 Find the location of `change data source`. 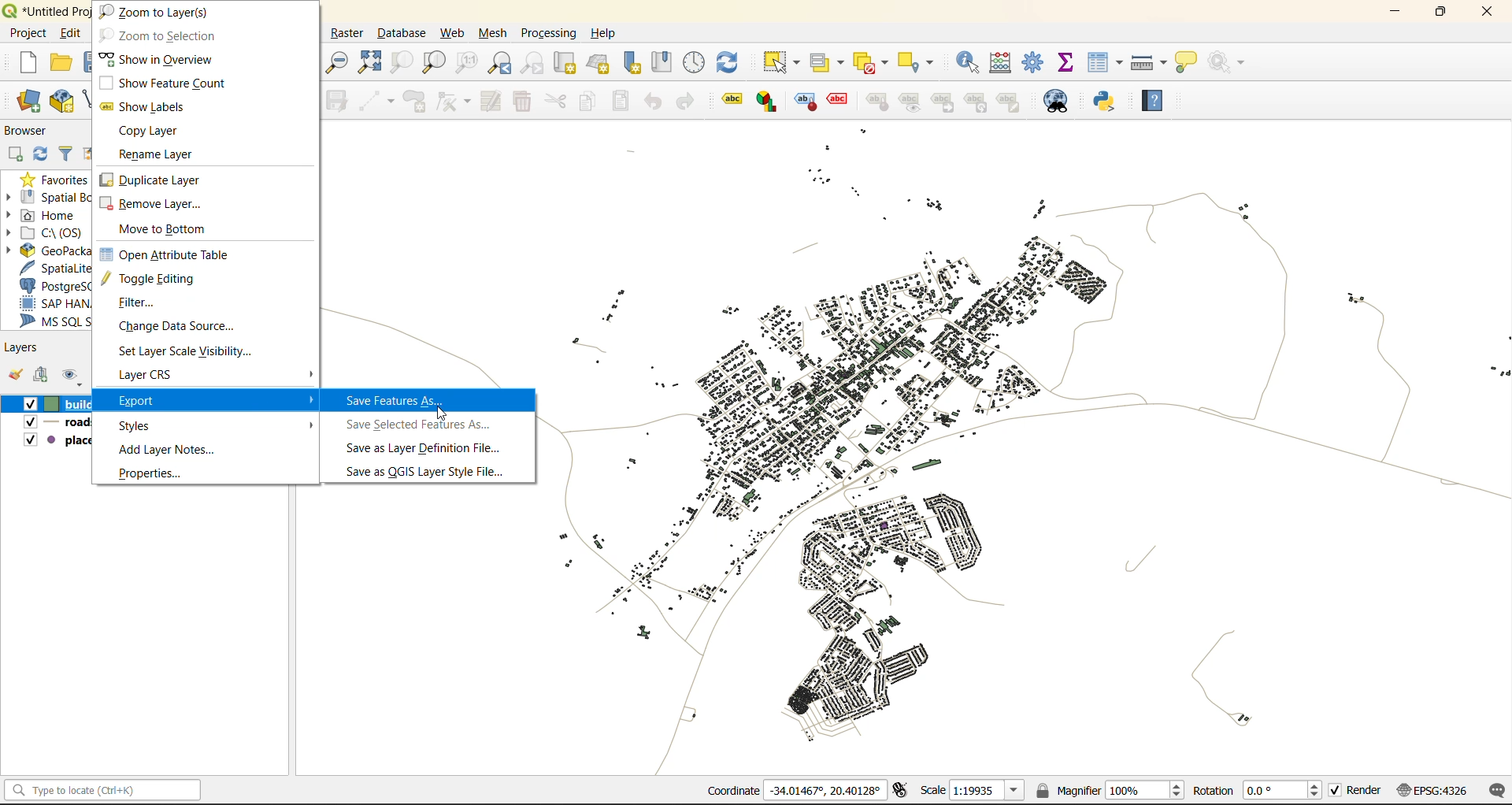

change data source is located at coordinates (179, 325).